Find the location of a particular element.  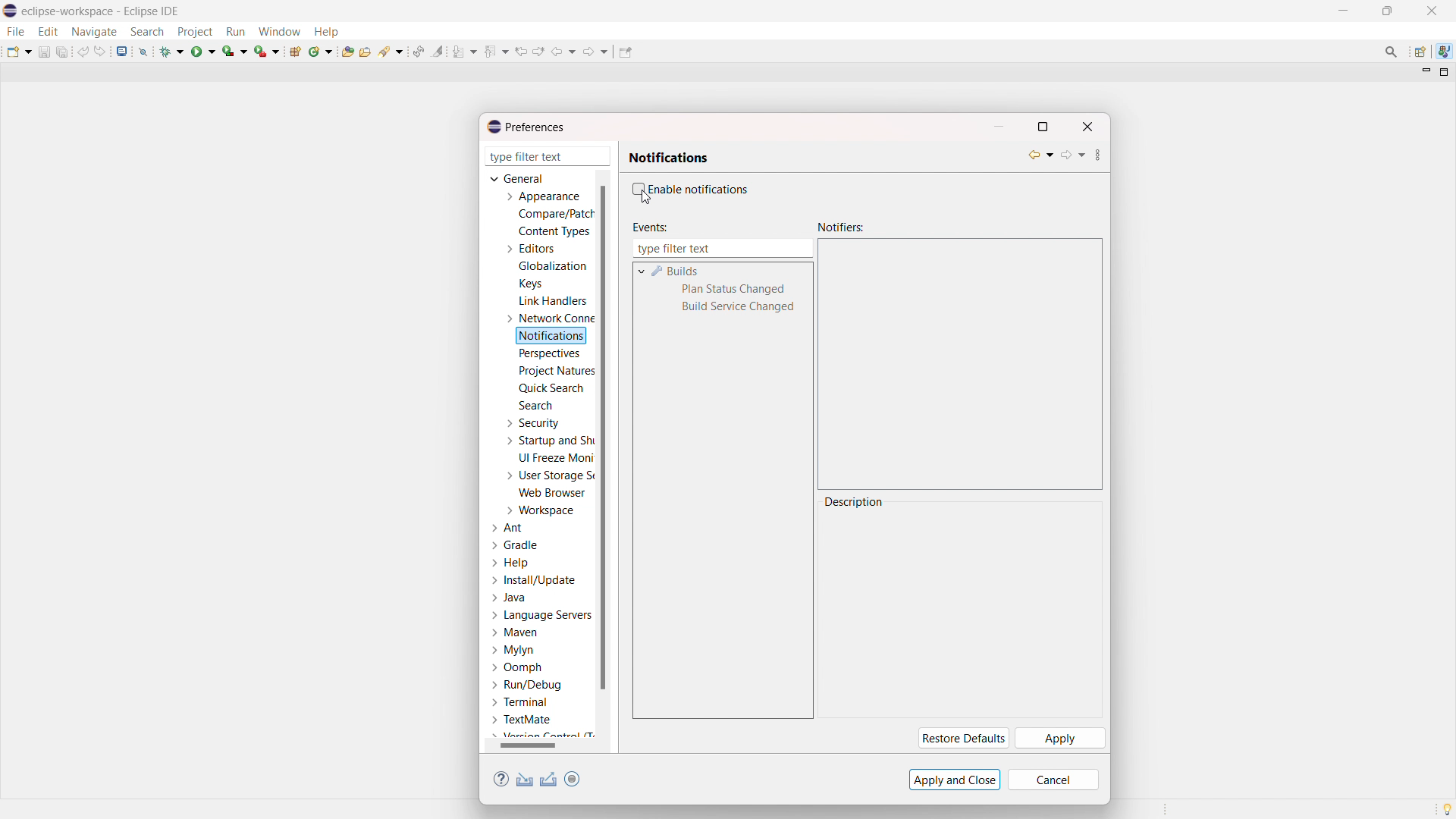

toggle oomph preference recorder is located at coordinates (572, 779).